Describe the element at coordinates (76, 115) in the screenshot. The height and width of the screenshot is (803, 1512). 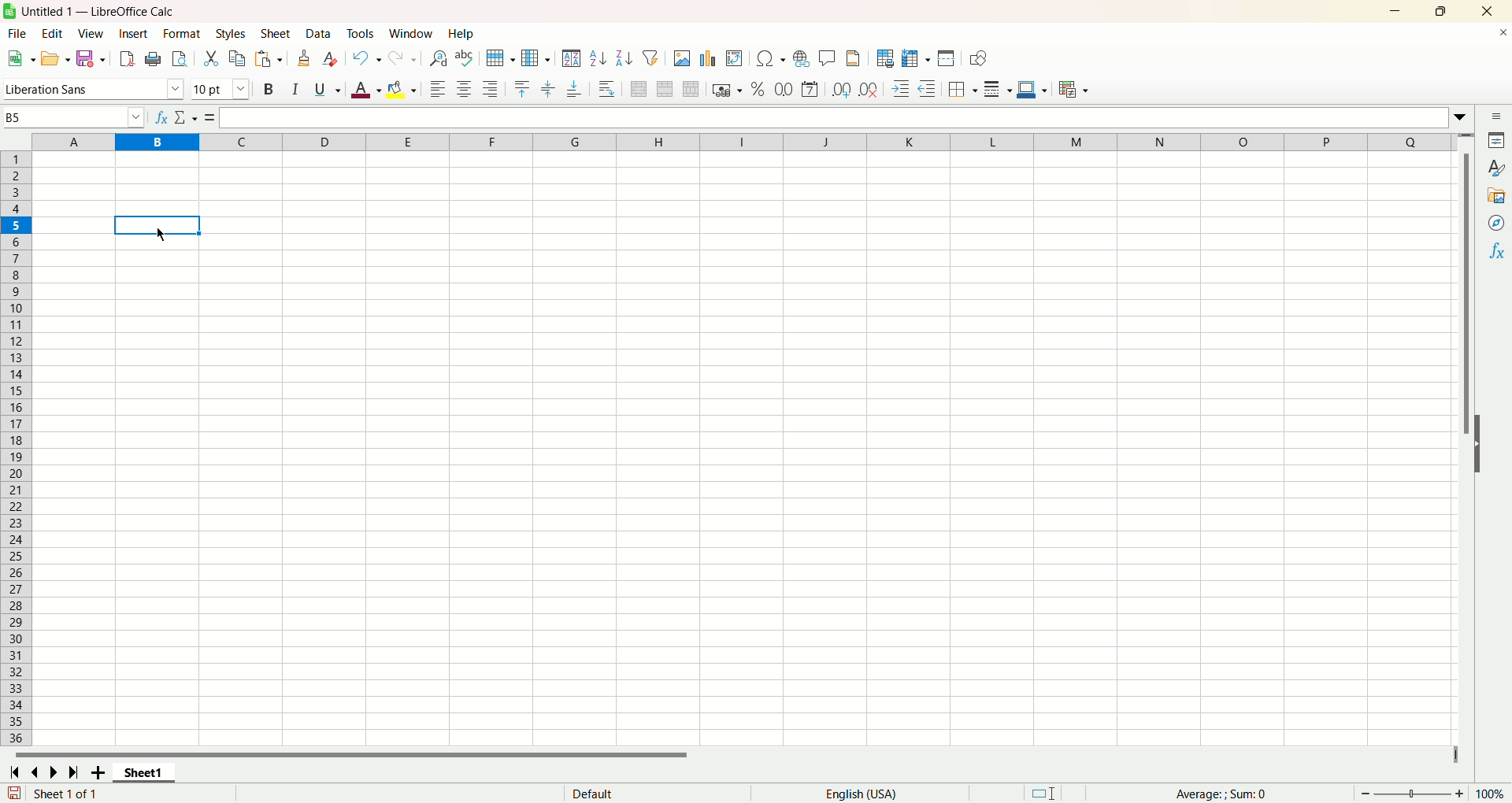
I see `name box` at that location.